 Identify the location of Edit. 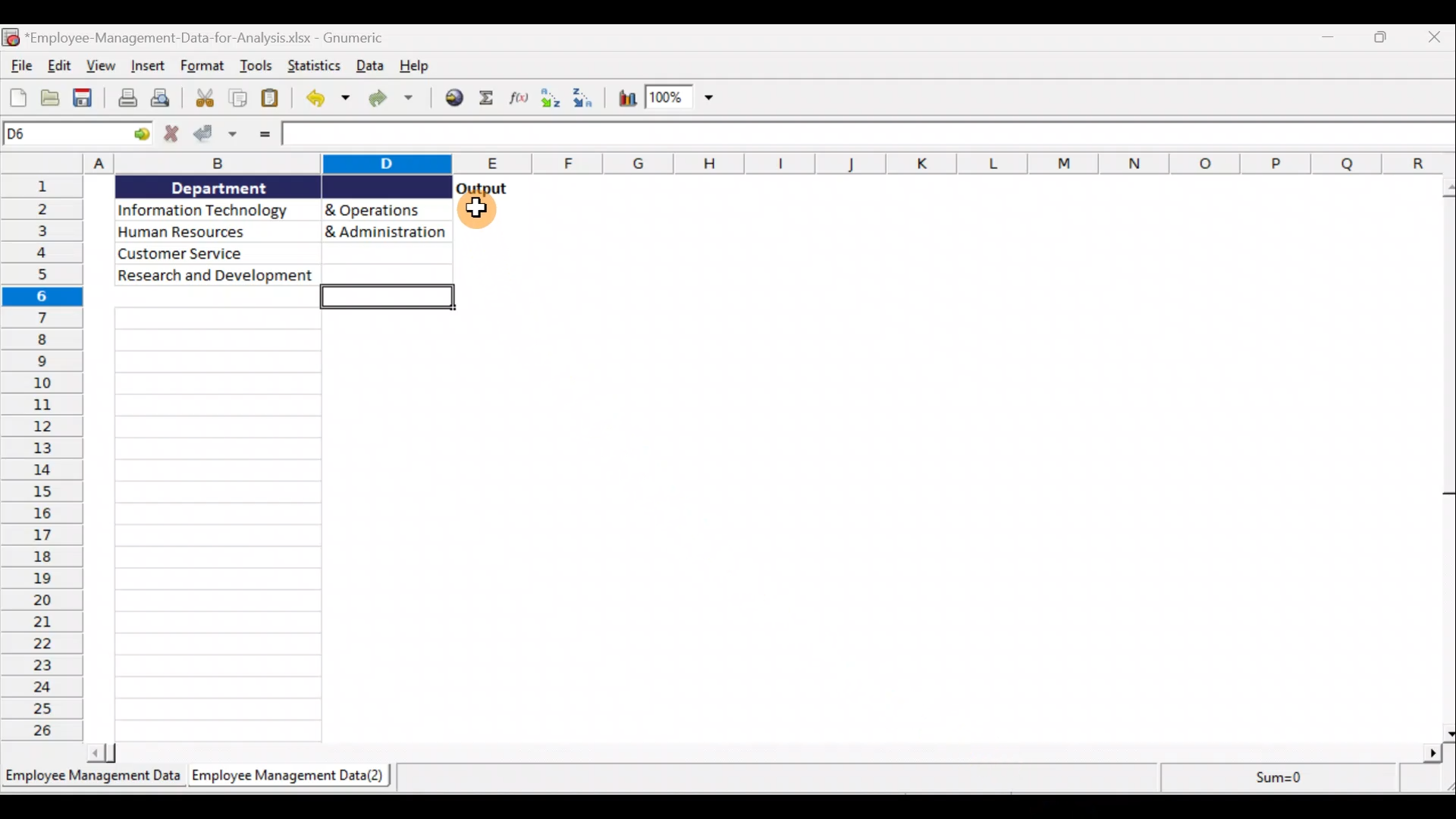
(58, 66).